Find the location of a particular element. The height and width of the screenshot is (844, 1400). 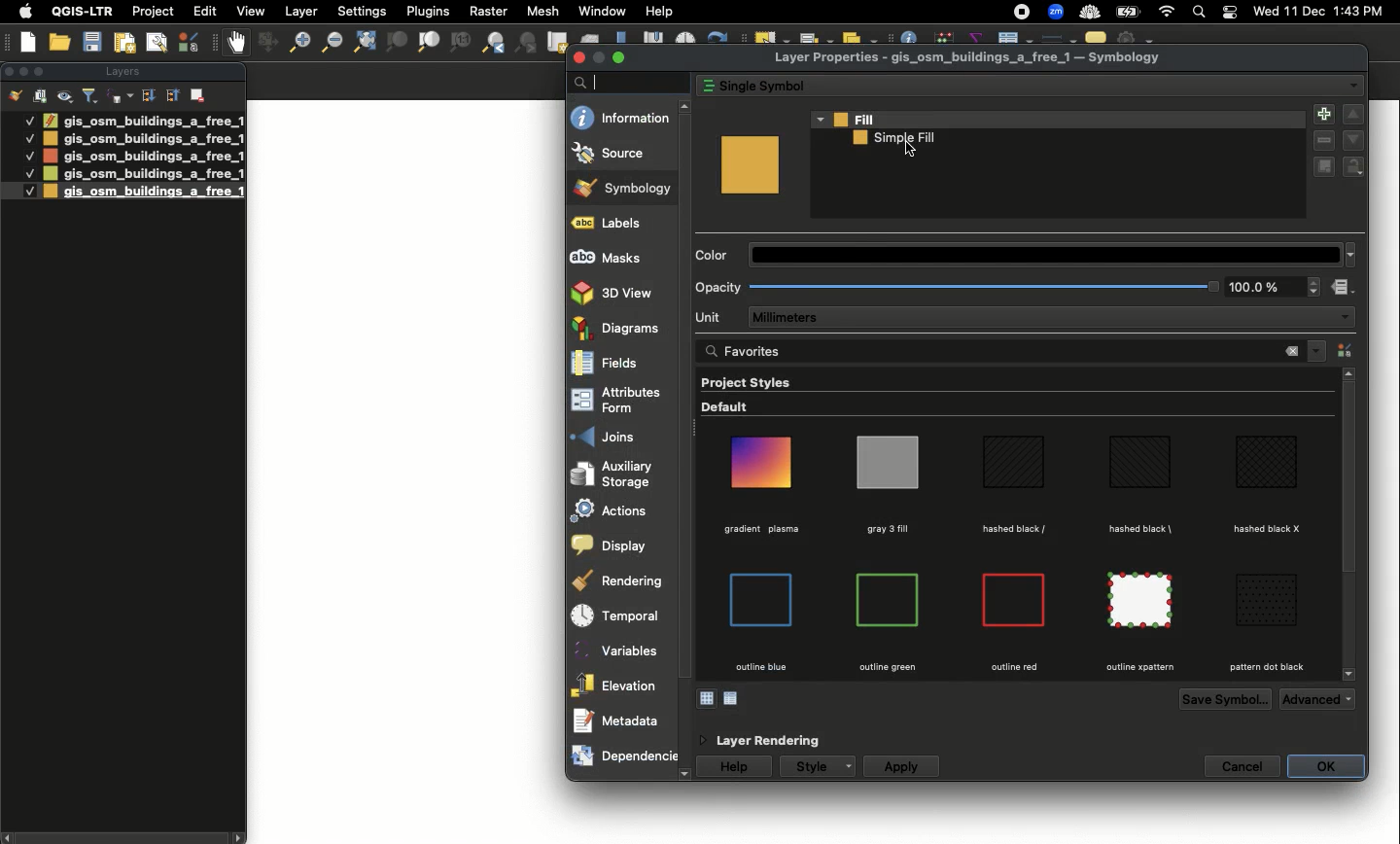

Project styles is located at coordinates (751, 380).